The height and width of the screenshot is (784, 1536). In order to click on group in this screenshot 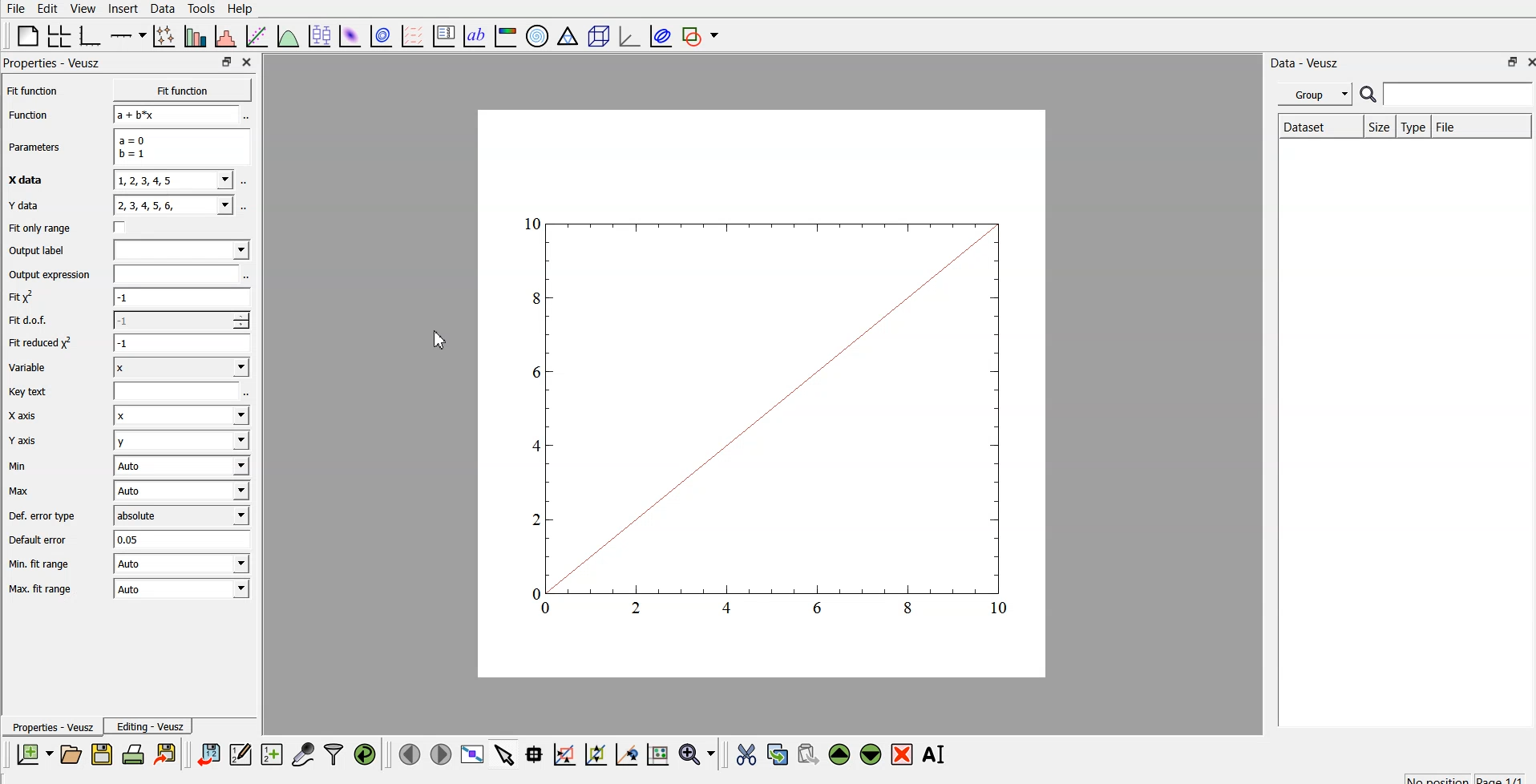, I will do `click(1317, 95)`.